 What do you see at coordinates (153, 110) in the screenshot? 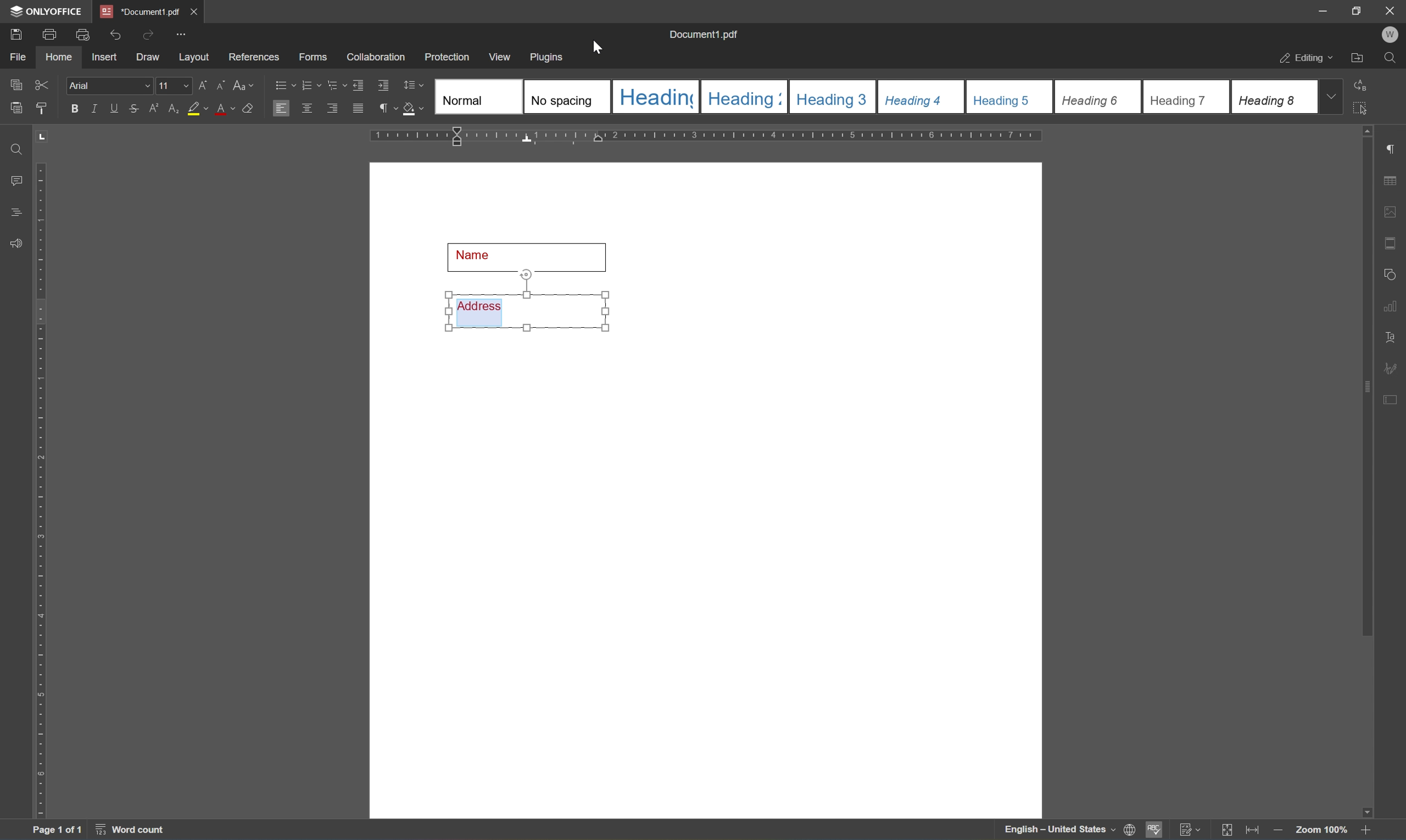
I see `superscript` at bounding box center [153, 110].